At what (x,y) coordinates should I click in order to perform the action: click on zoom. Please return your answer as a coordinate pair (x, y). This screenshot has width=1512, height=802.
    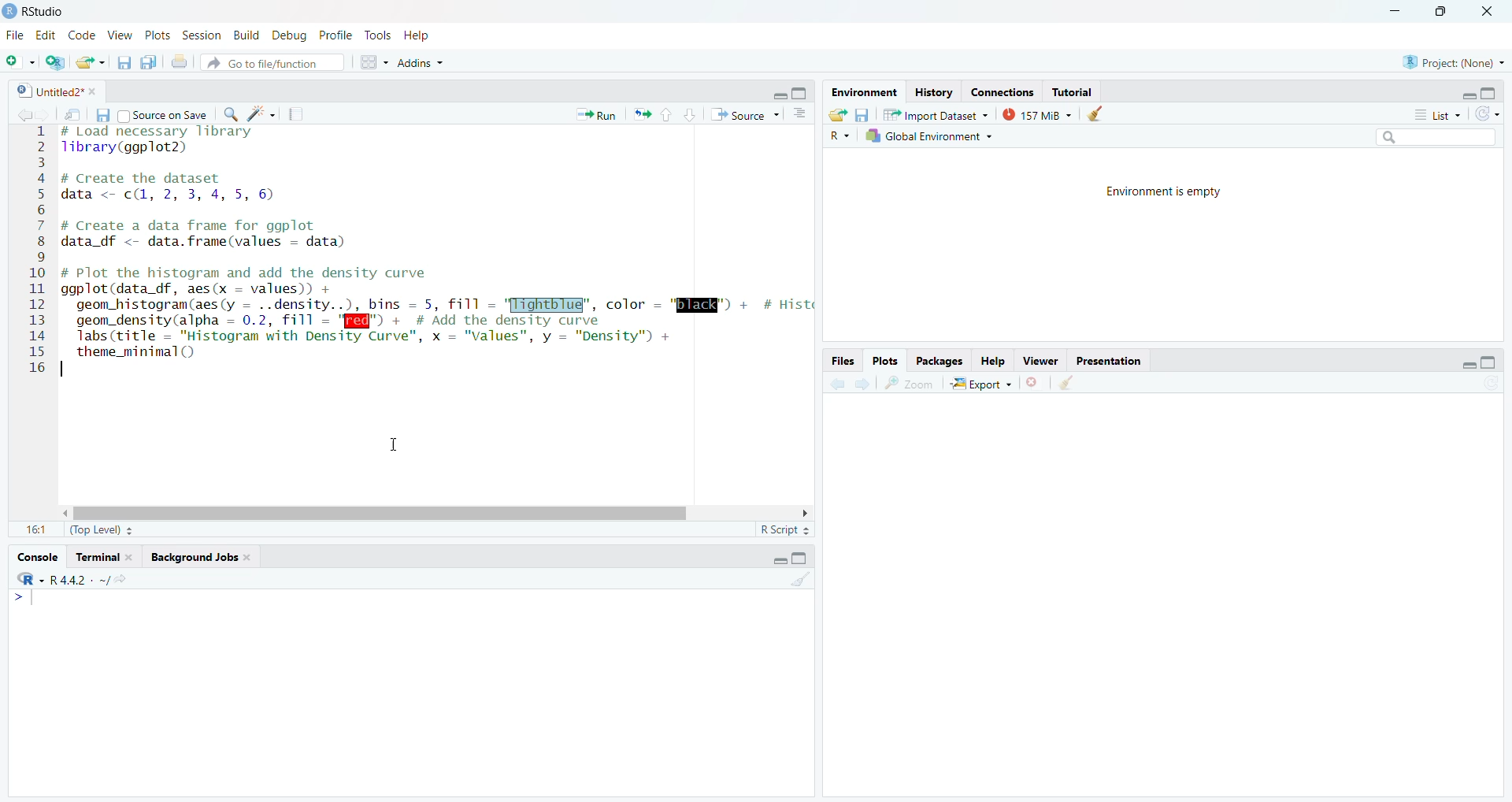
    Looking at the image, I should click on (908, 384).